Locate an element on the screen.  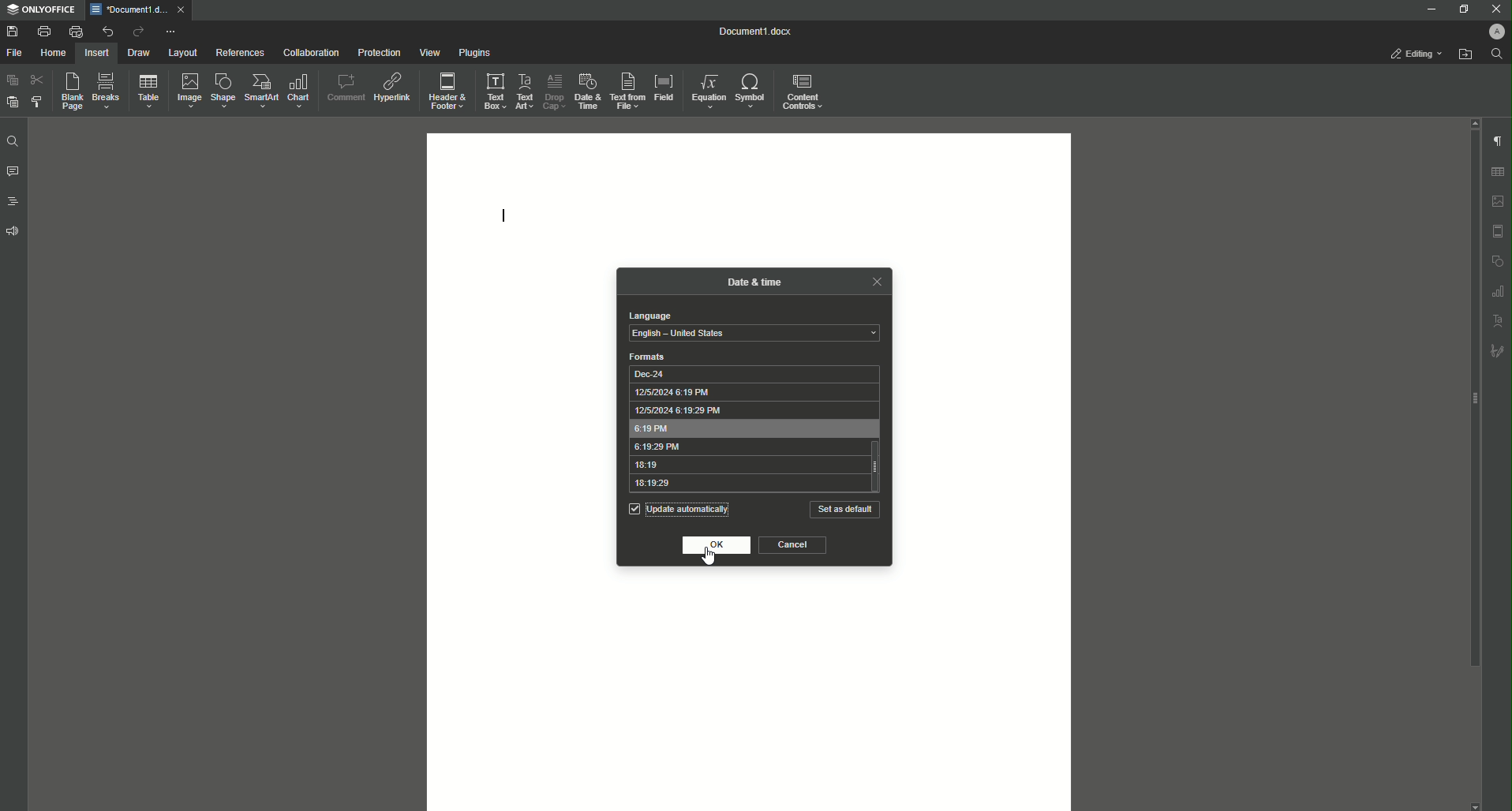
Image is located at coordinates (185, 90).